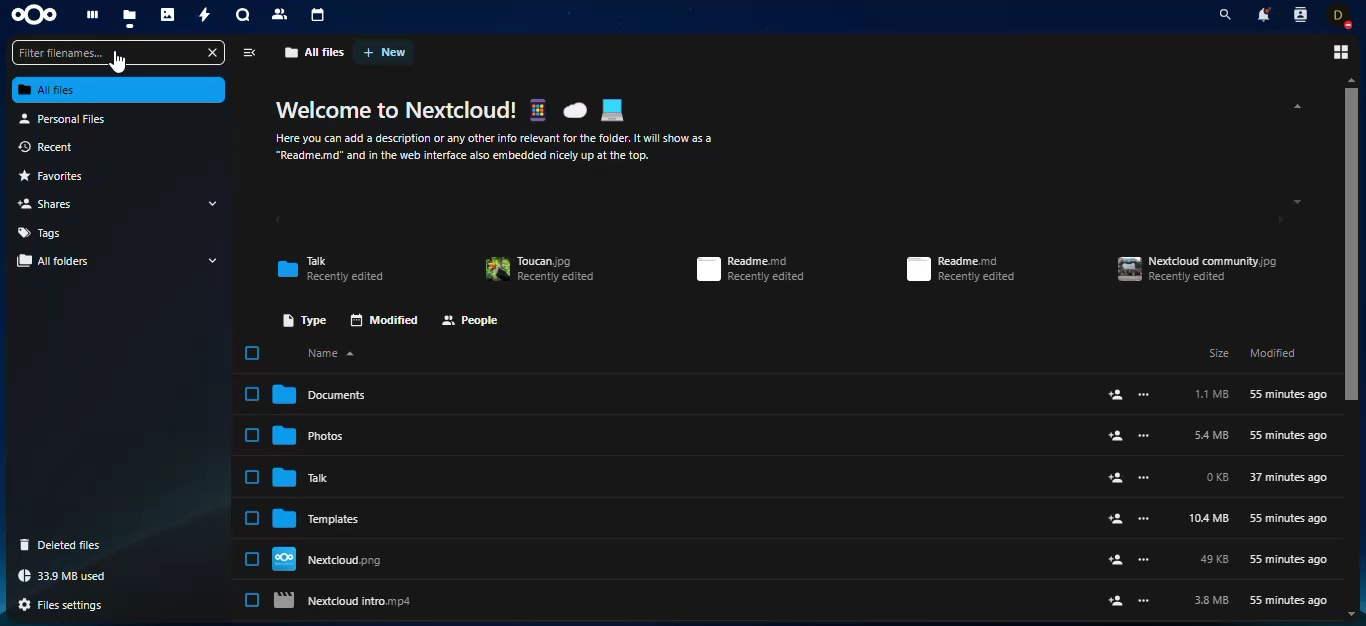 This screenshot has height=626, width=1366. I want to click on Laptop emoji, so click(612, 110).